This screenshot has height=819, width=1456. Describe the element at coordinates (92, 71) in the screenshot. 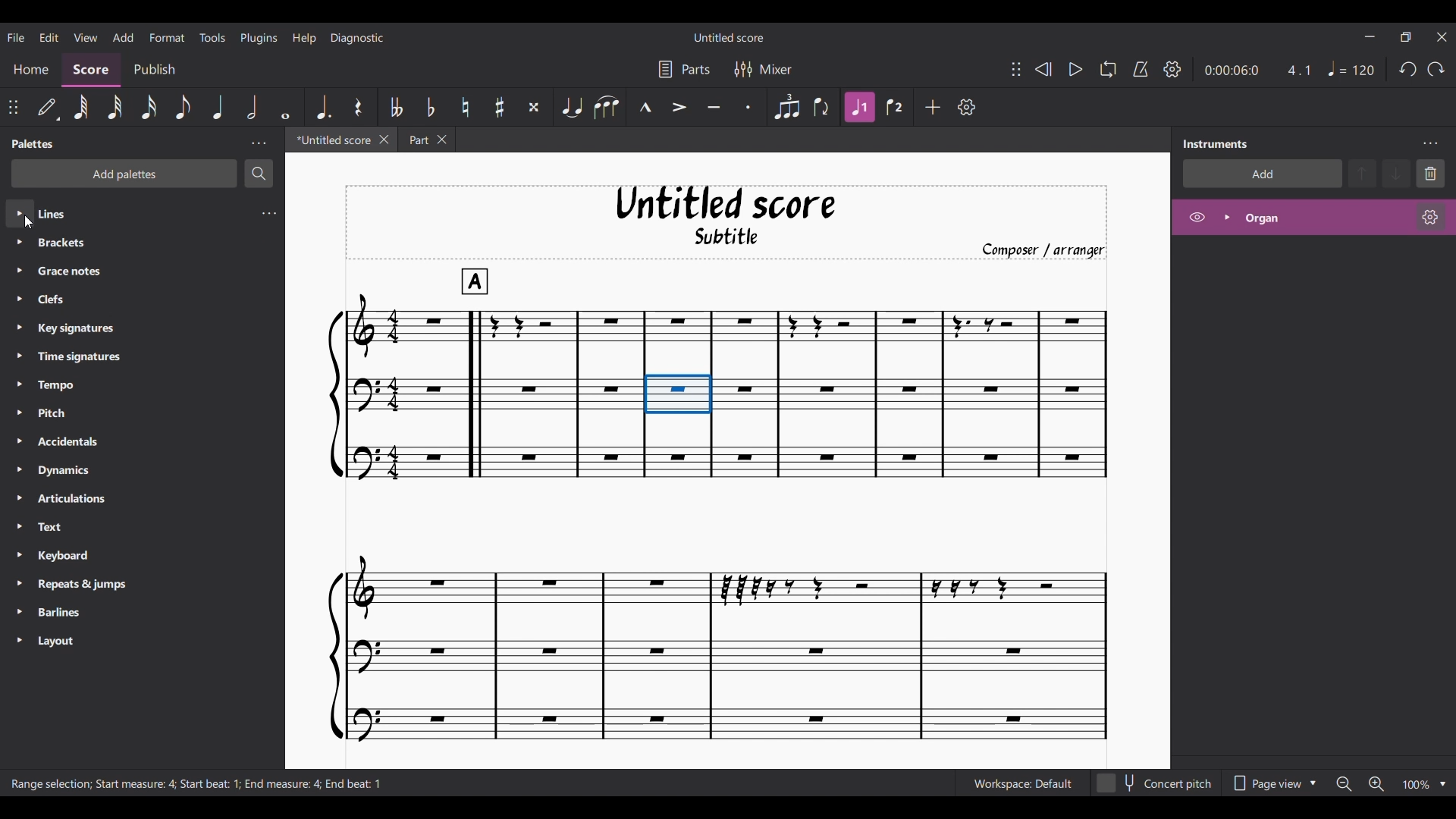

I see `Score, current section highlighted` at that location.